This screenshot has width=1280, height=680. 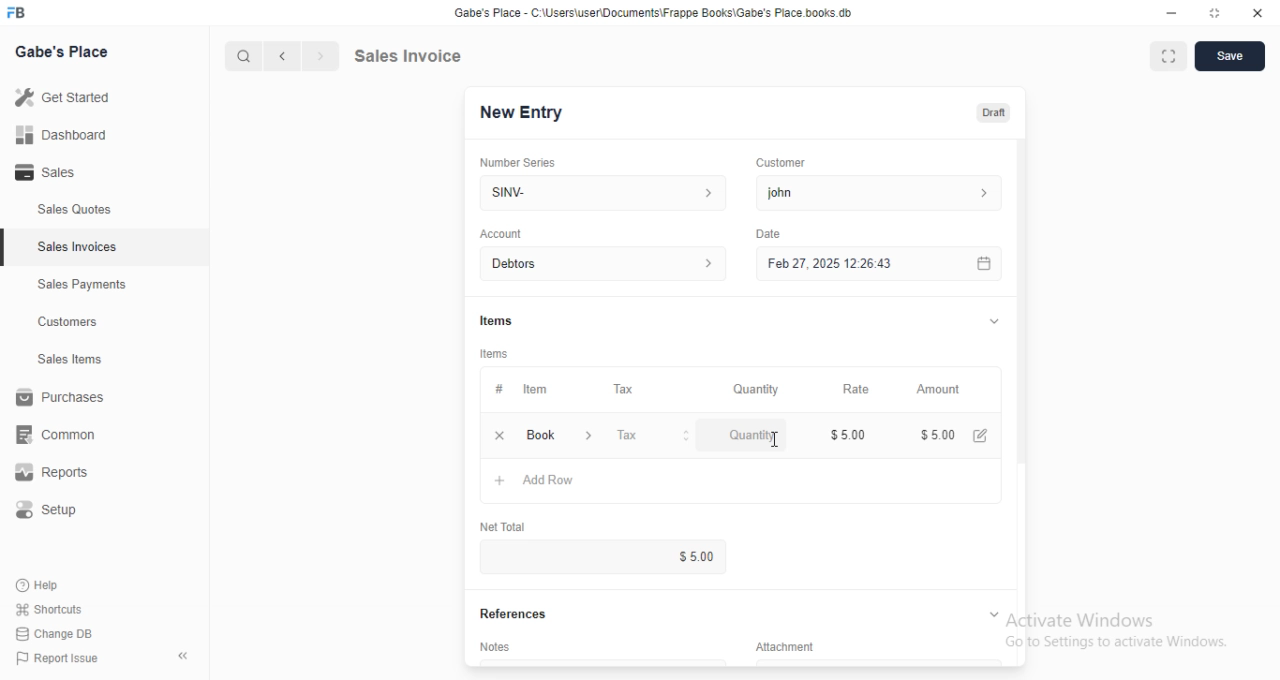 What do you see at coordinates (284, 54) in the screenshot?
I see `previous` at bounding box center [284, 54].